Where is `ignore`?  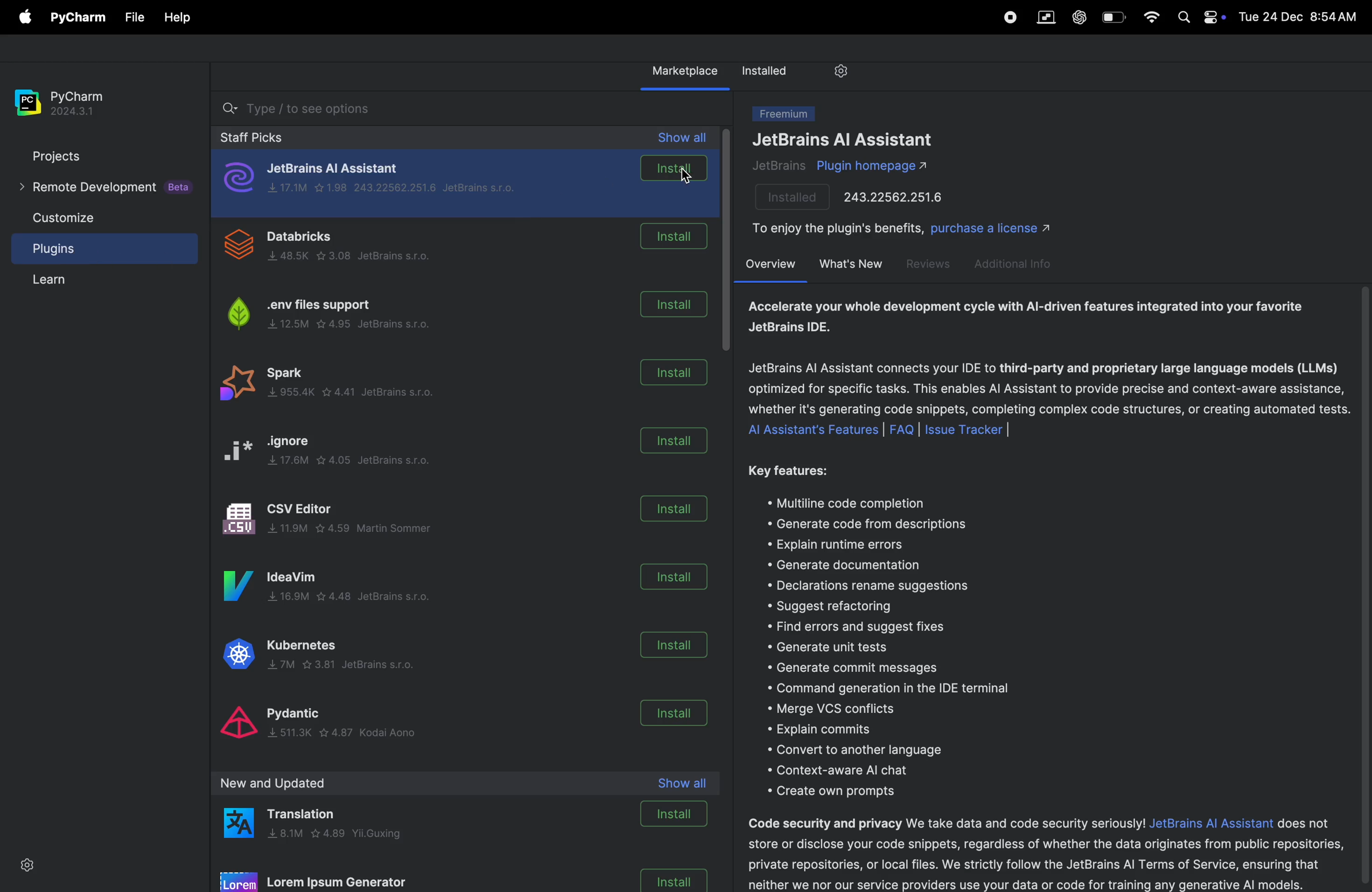
ignore is located at coordinates (327, 456).